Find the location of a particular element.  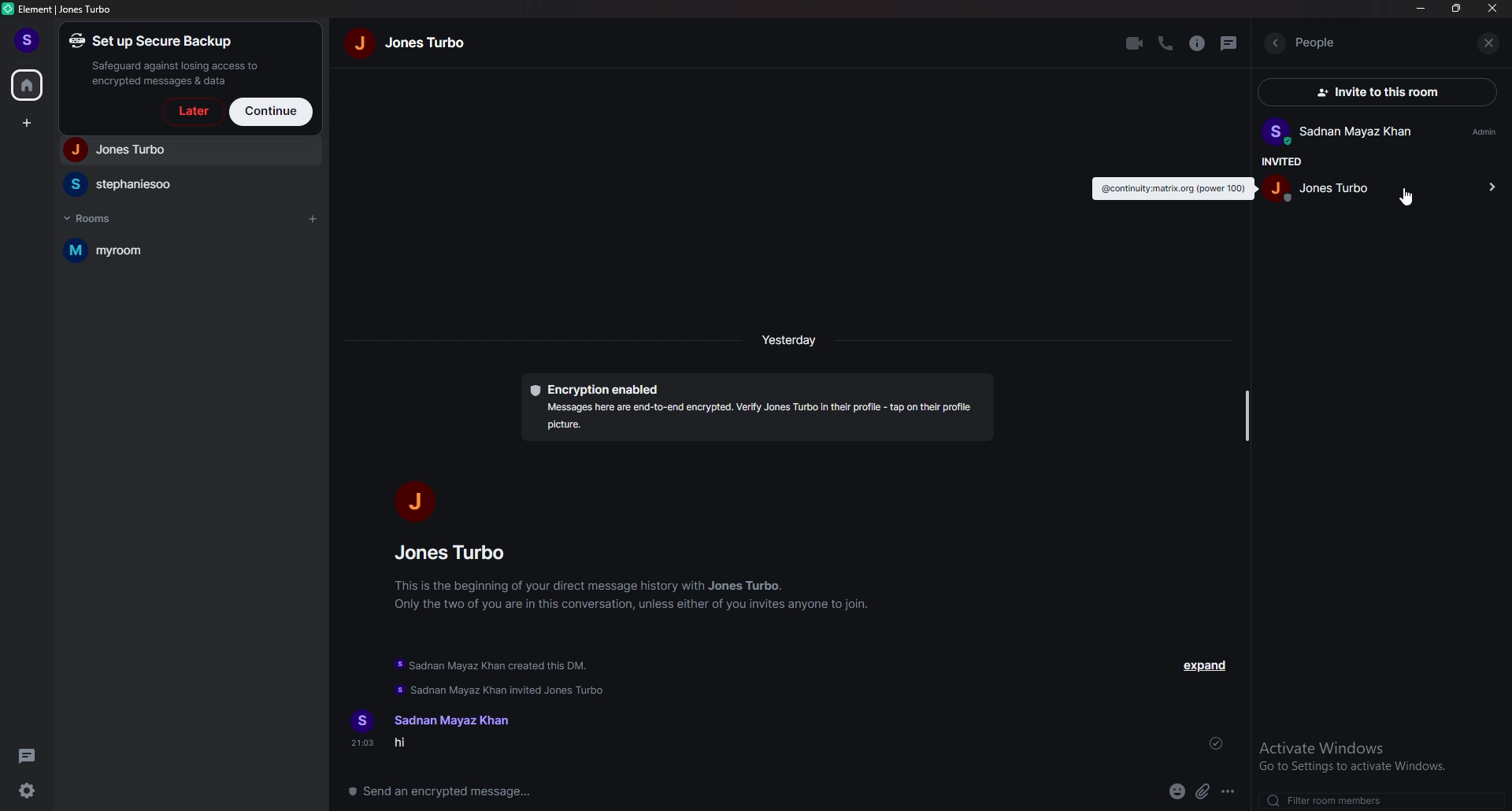

emoji is located at coordinates (1178, 792).